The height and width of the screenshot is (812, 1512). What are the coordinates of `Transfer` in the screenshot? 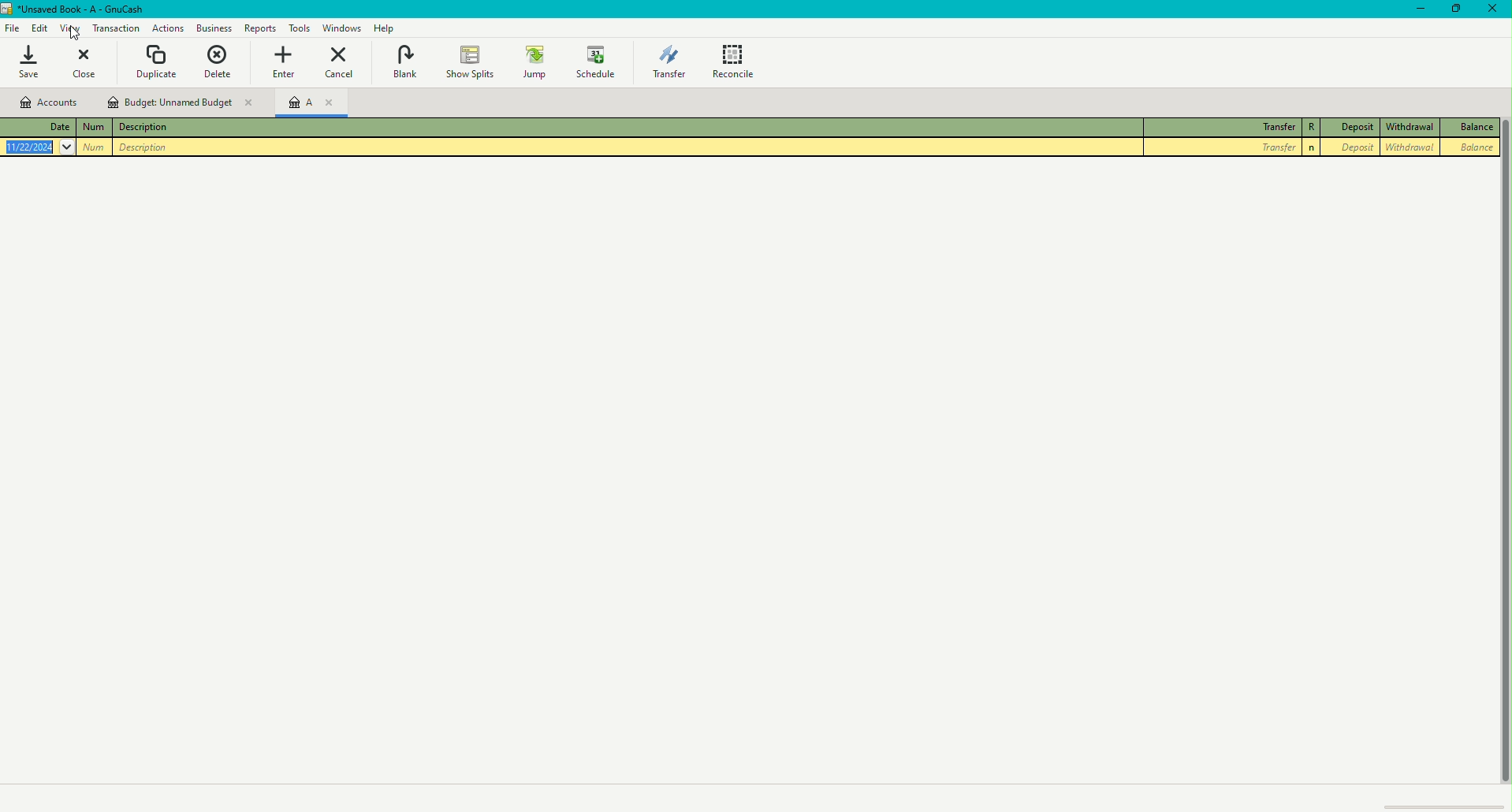 It's located at (1223, 125).